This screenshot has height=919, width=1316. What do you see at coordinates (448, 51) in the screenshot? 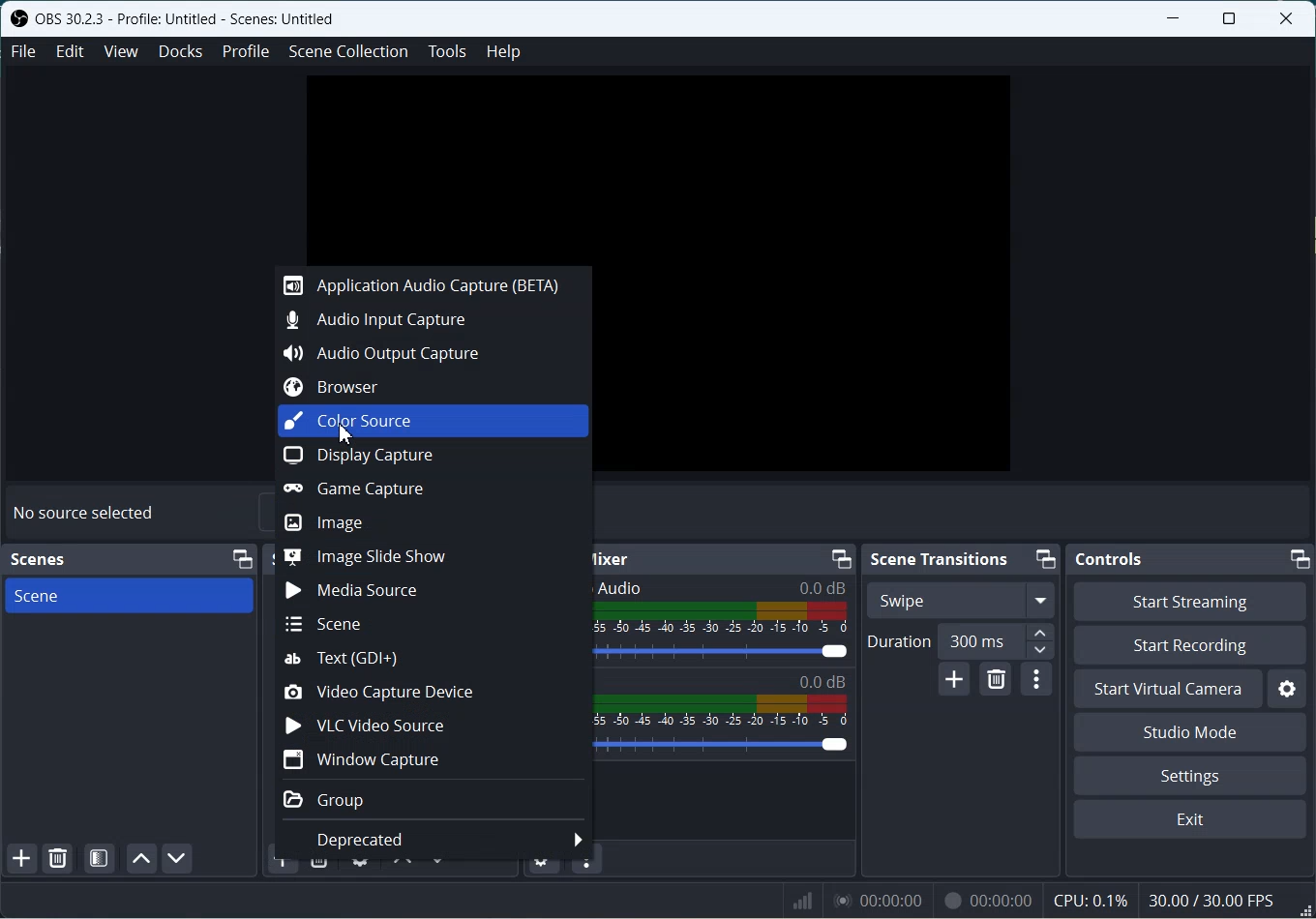
I see `Tools` at bounding box center [448, 51].